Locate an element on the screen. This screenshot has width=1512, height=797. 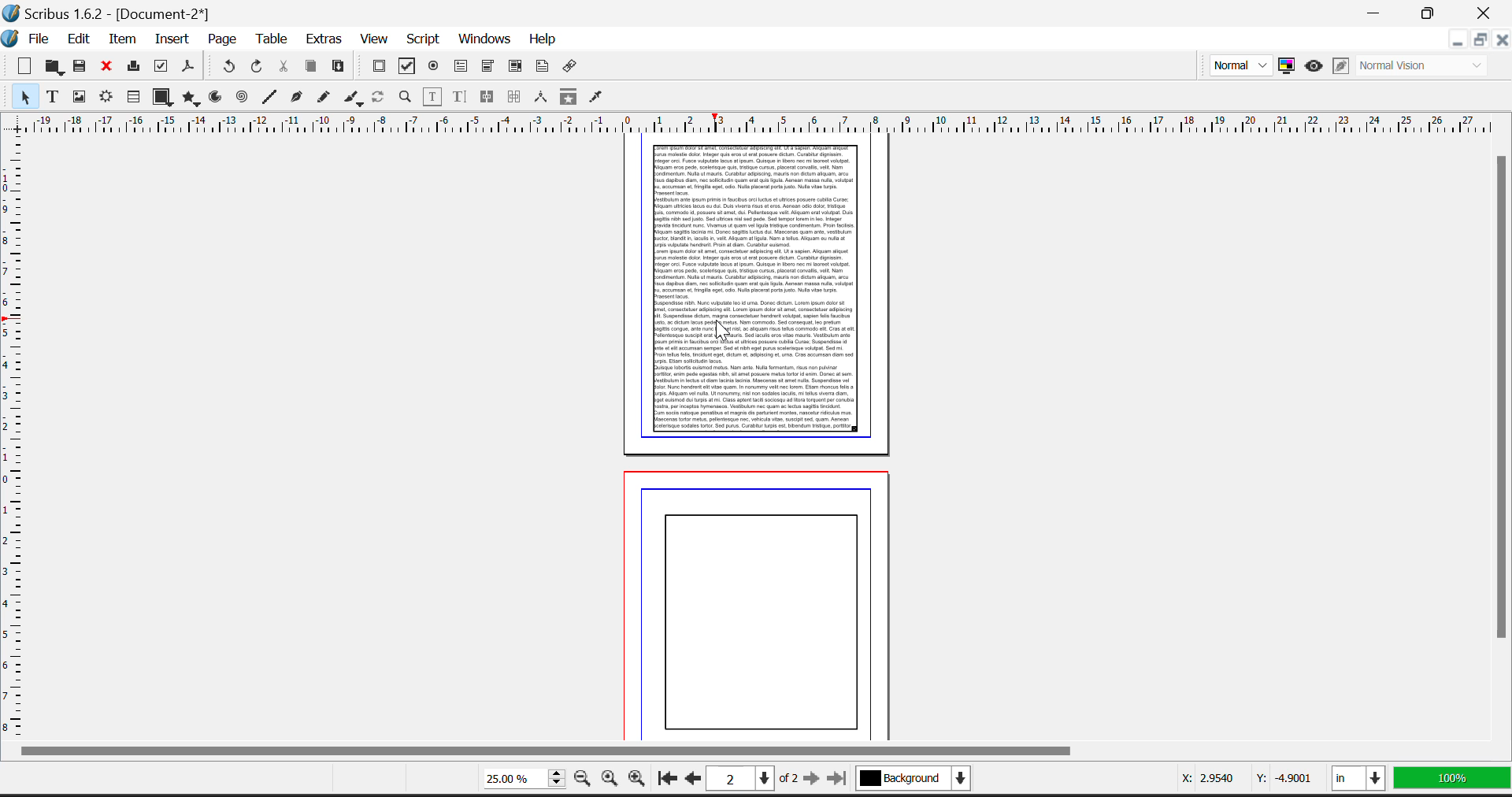
Preflight Verifier is located at coordinates (161, 69).